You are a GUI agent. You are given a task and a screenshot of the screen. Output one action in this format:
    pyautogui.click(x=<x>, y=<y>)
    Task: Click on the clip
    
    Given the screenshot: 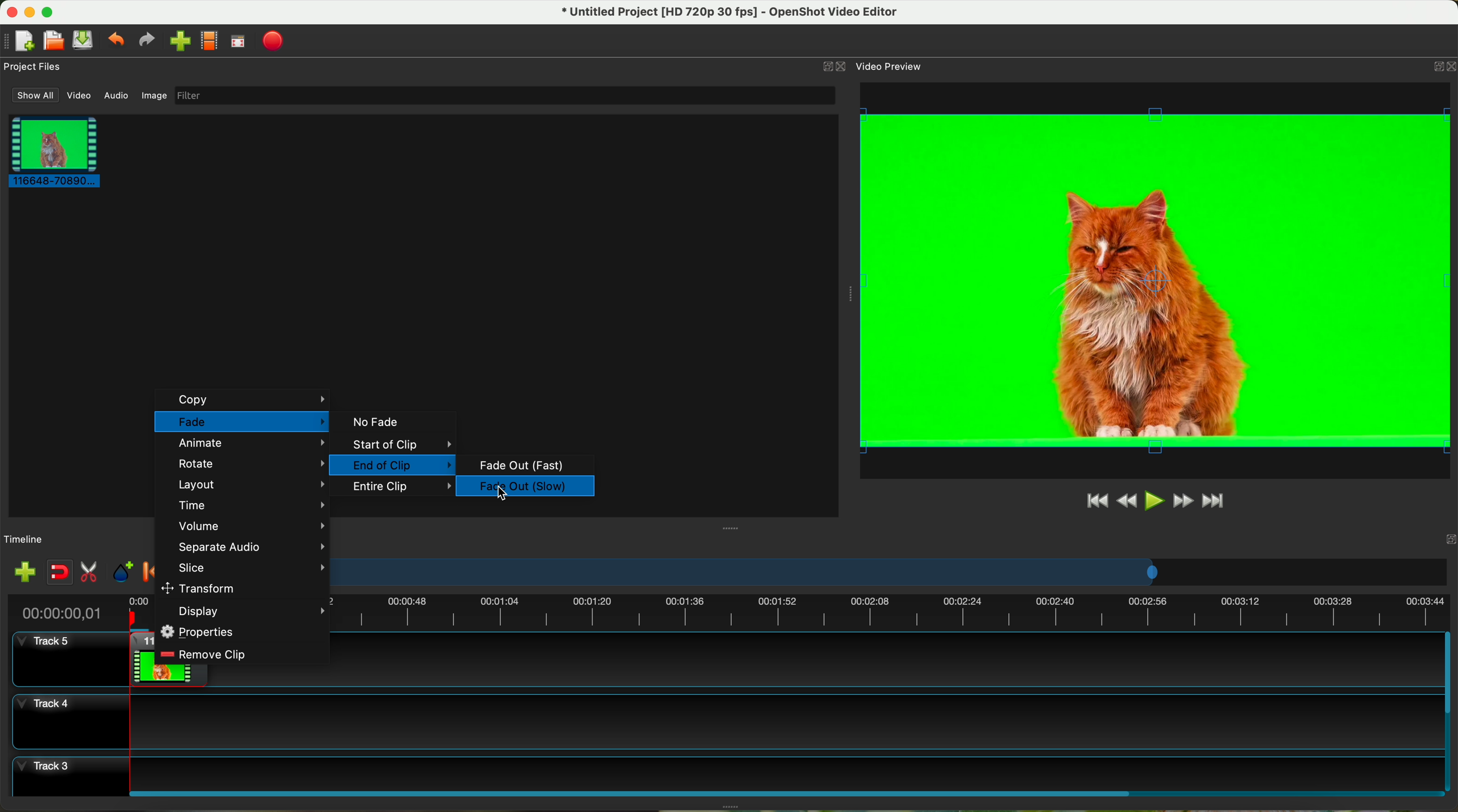 What is the action you would take?
    pyautogui.click(x=51, y=151)
    